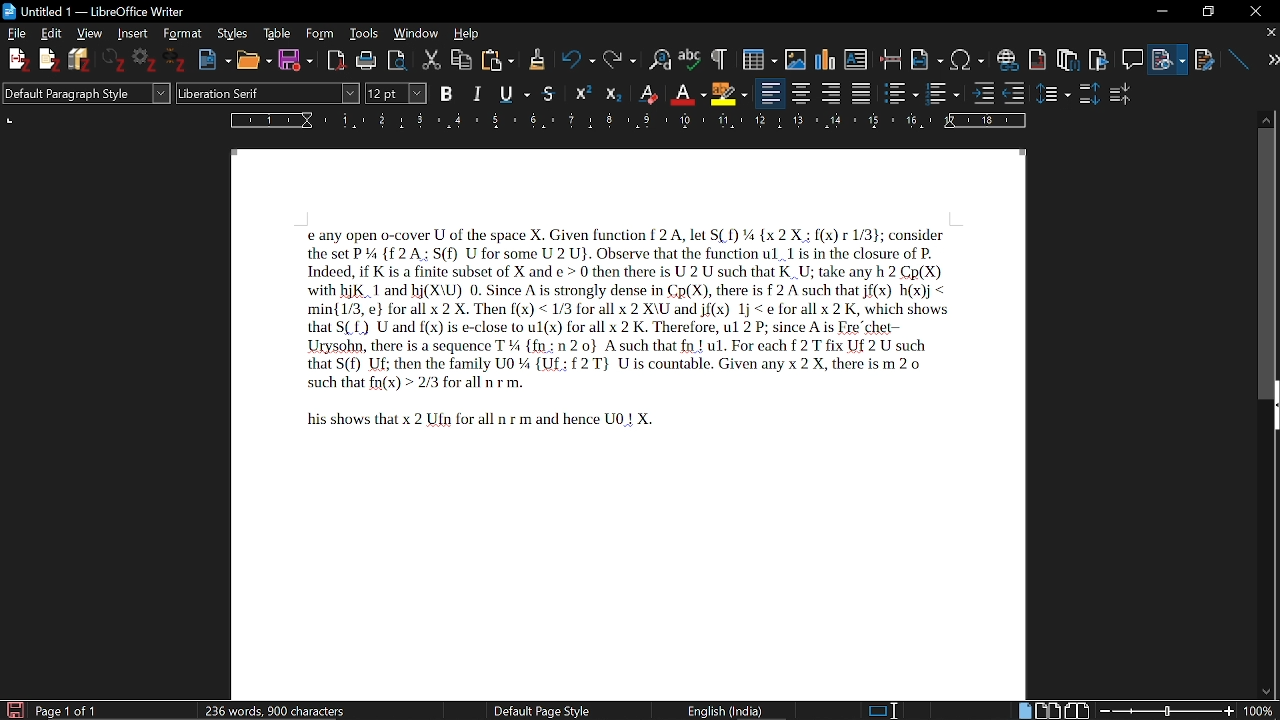 The width and height of the screenshot is (1280, 720). Describe the element at coordinates (178, 62) in the screenshot. I see `` at that location.